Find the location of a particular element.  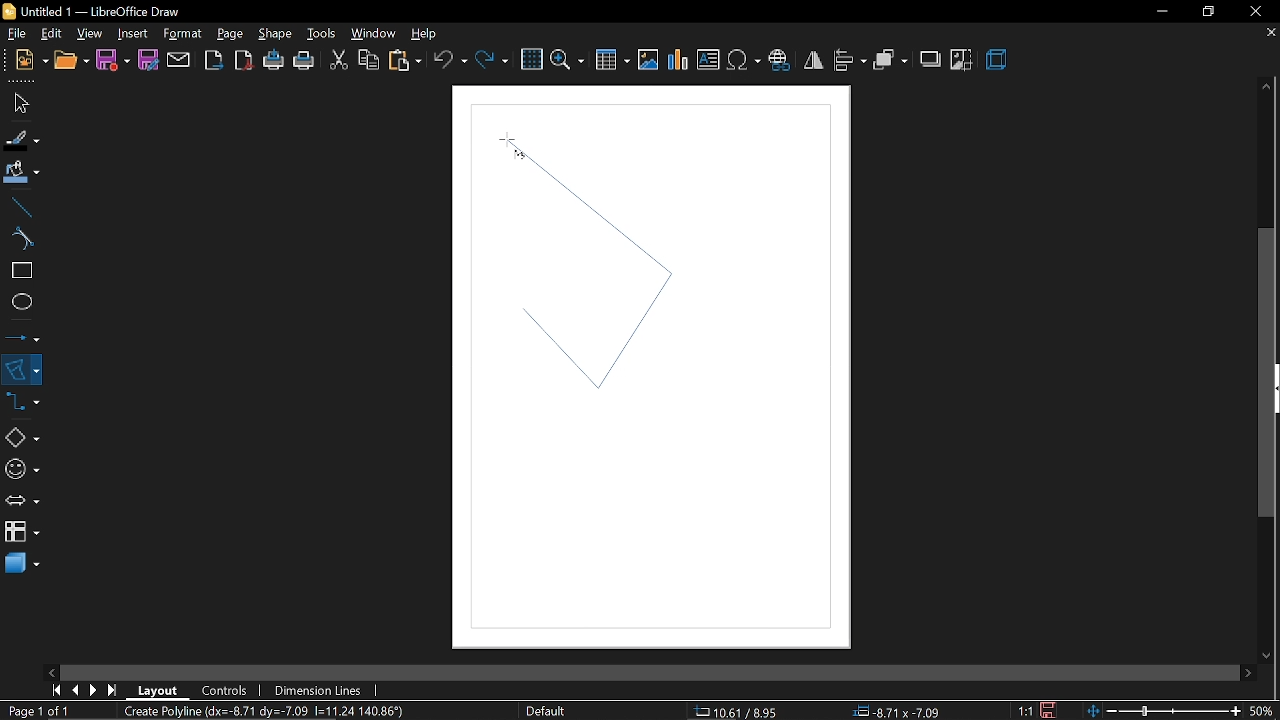

edit is located at coordinates (54, 33).